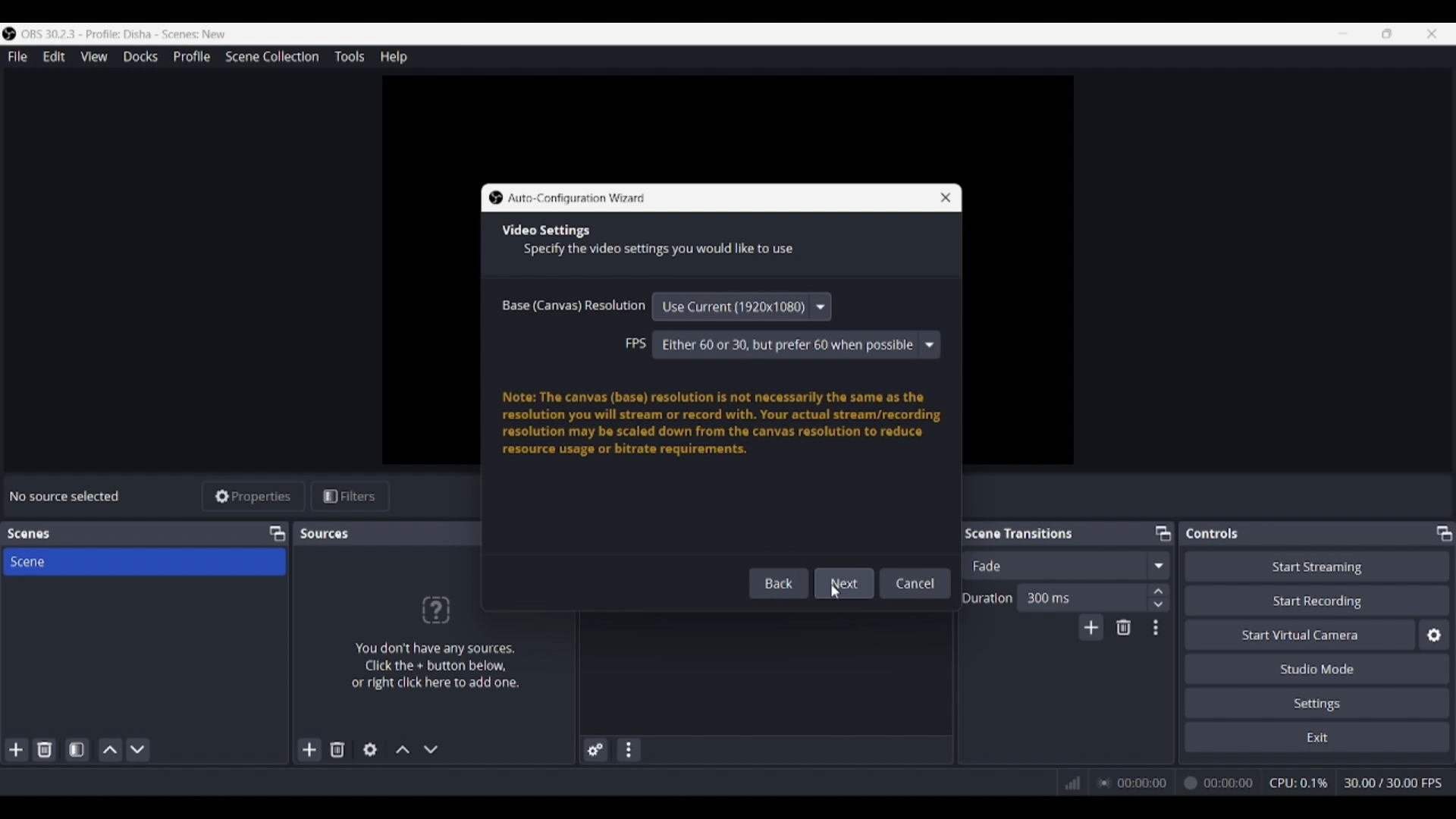 The width and height of the screenshot is (1456, 819). I want to click on Window title, so click(577, 199).